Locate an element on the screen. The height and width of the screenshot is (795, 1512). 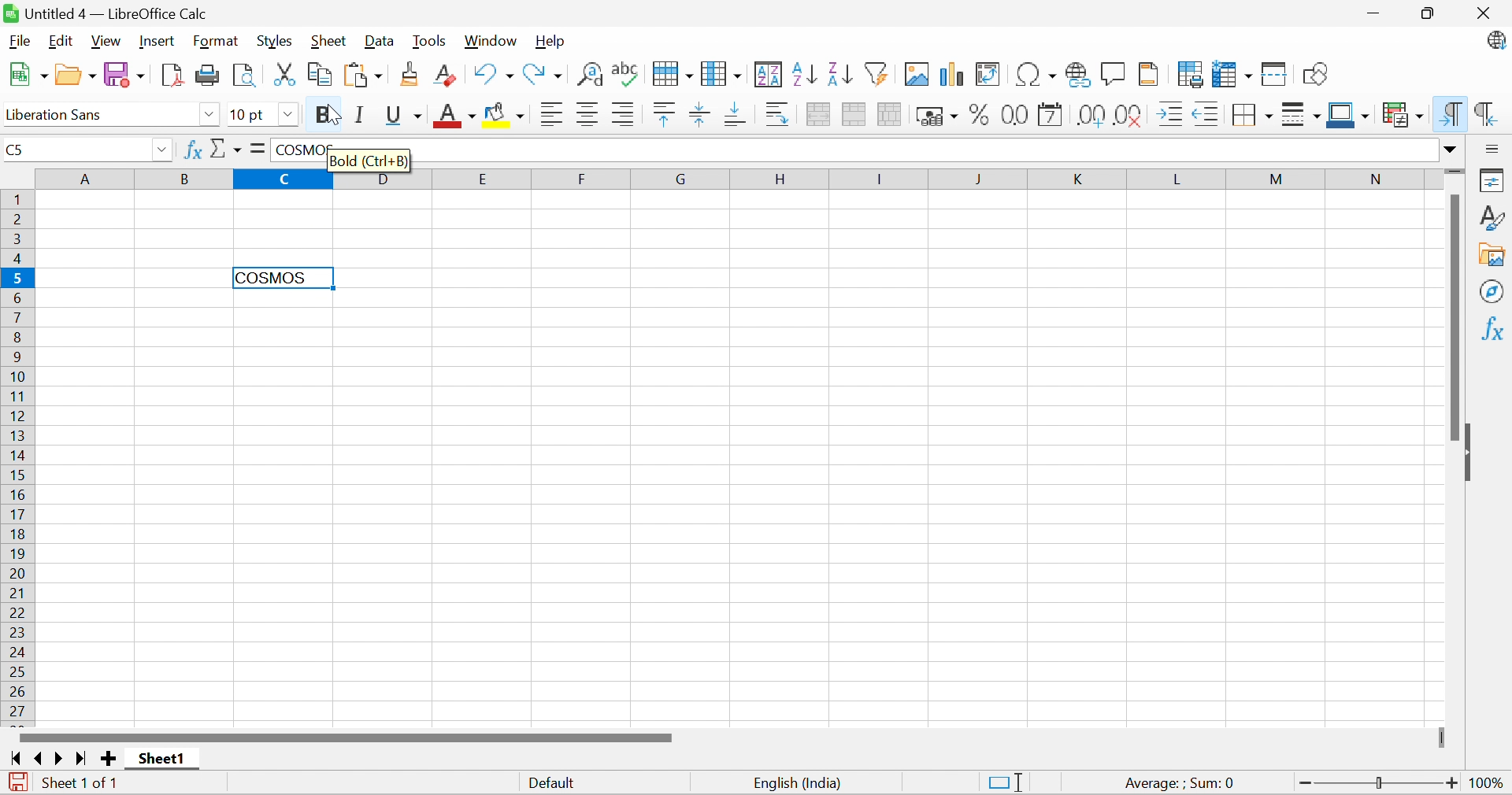
Properties is located at coordinates (1494, 182).